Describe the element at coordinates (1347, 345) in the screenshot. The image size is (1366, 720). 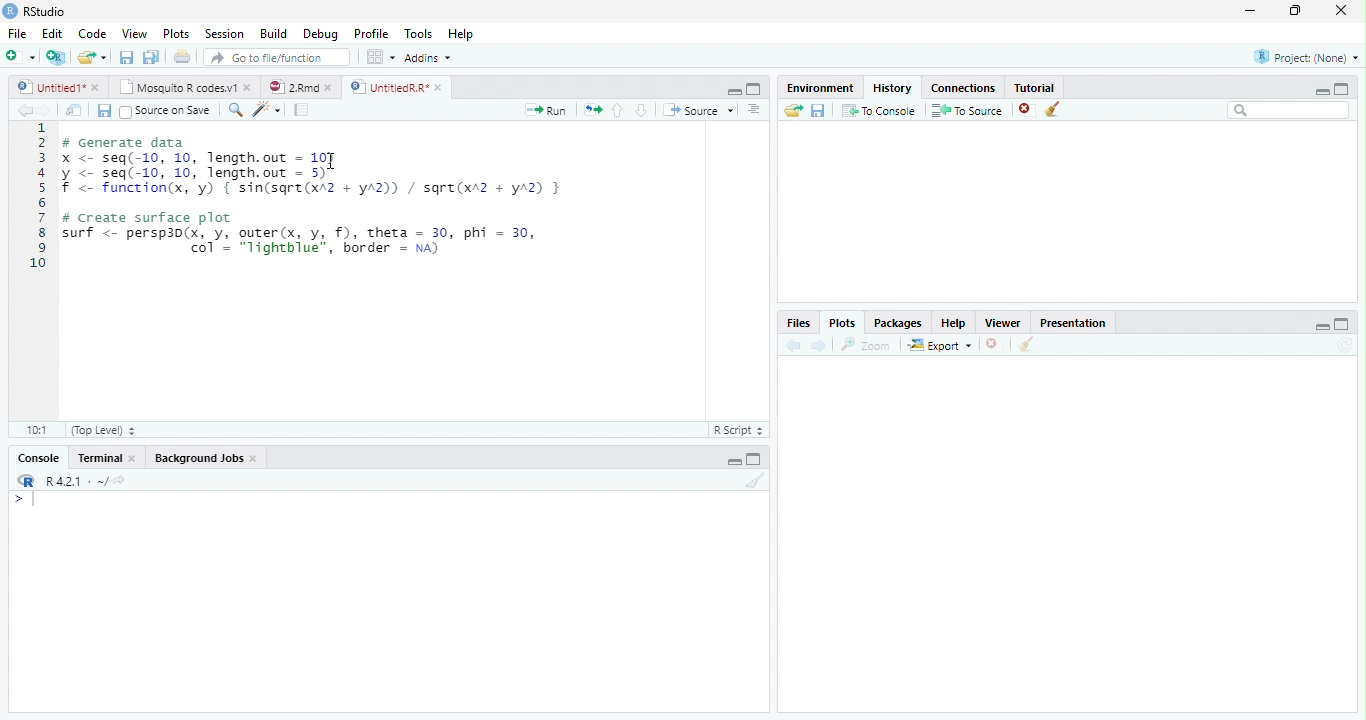
I see `Refresh current plot` at that location.